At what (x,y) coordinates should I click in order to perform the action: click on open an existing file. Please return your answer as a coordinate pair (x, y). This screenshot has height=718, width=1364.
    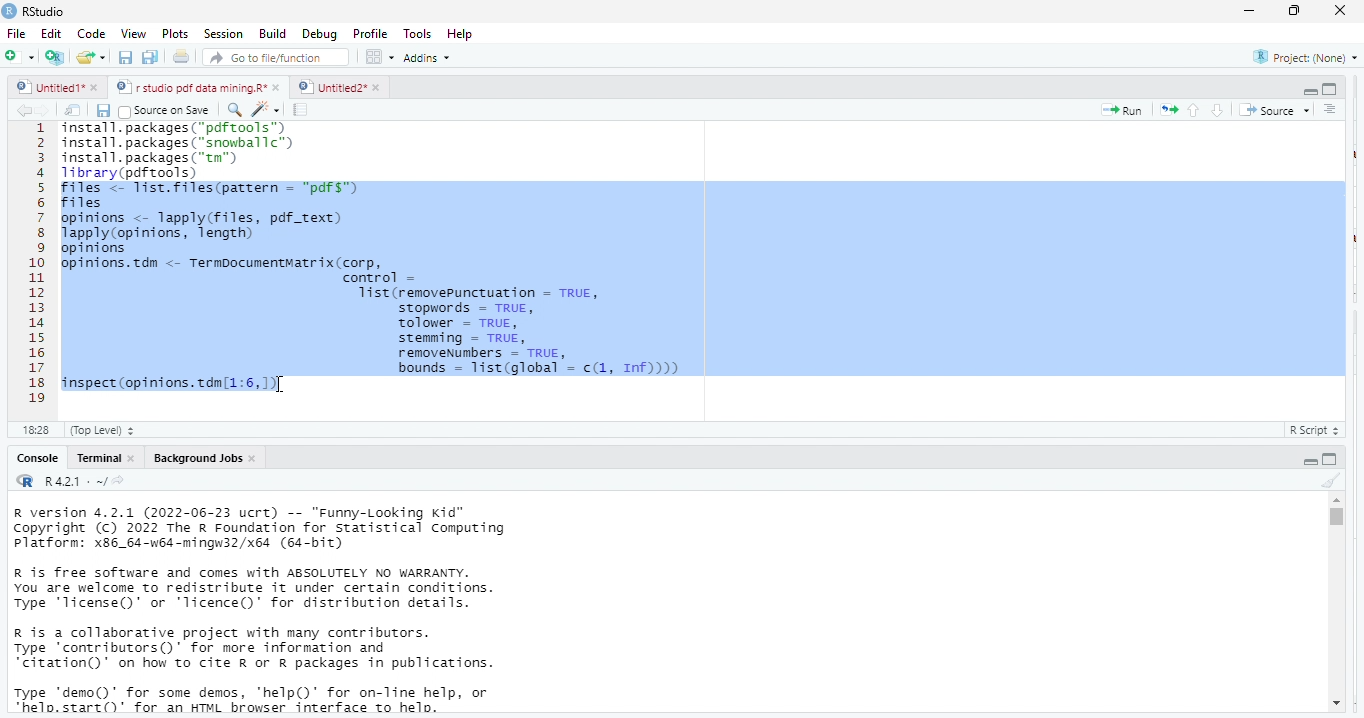
    Looking at the image, I should click on (92, 59).